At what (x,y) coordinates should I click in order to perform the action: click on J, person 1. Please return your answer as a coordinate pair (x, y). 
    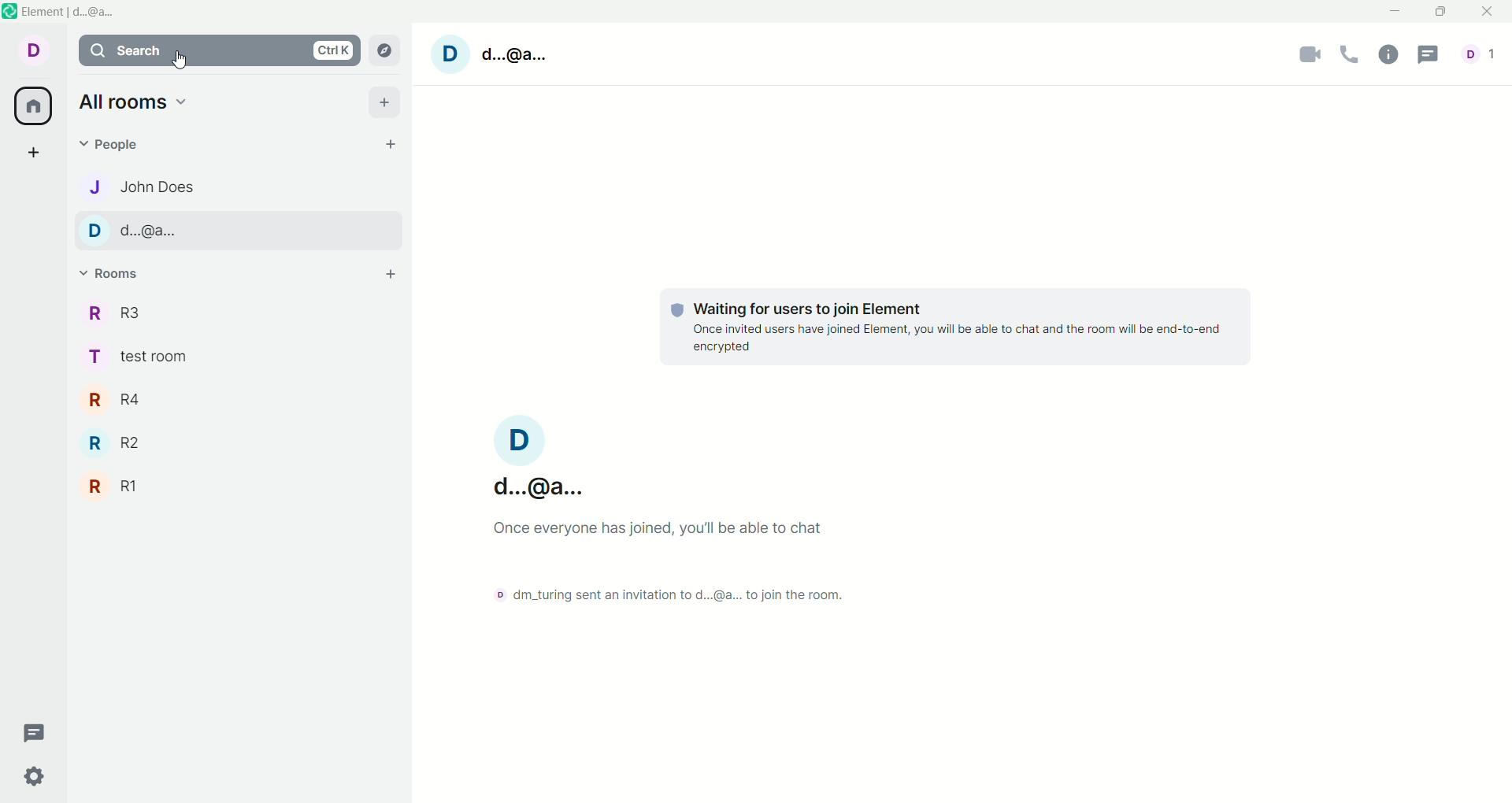
    Looking at the image, I should click on (235, 187).